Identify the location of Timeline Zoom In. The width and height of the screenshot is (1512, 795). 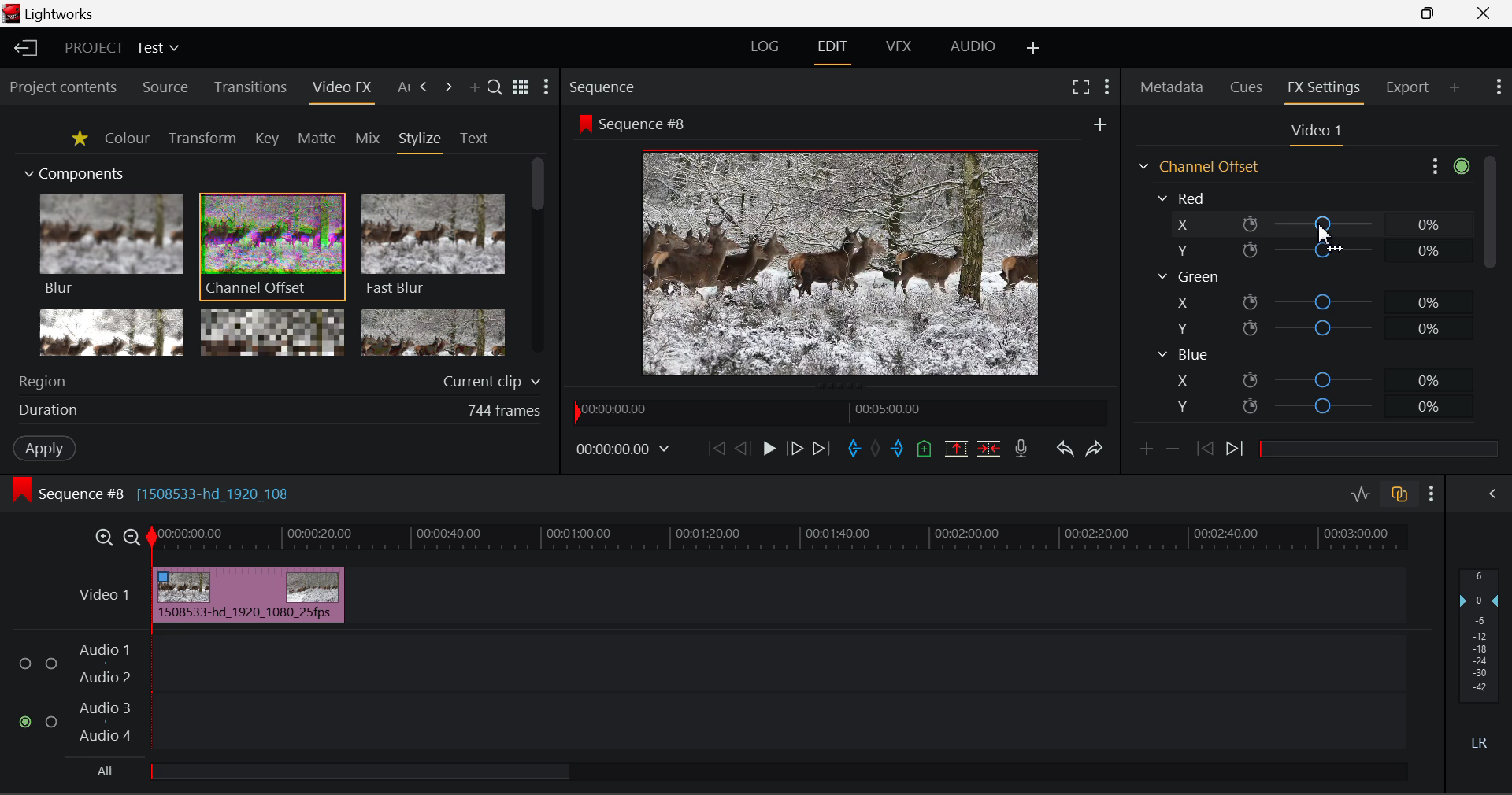
(103, 539).